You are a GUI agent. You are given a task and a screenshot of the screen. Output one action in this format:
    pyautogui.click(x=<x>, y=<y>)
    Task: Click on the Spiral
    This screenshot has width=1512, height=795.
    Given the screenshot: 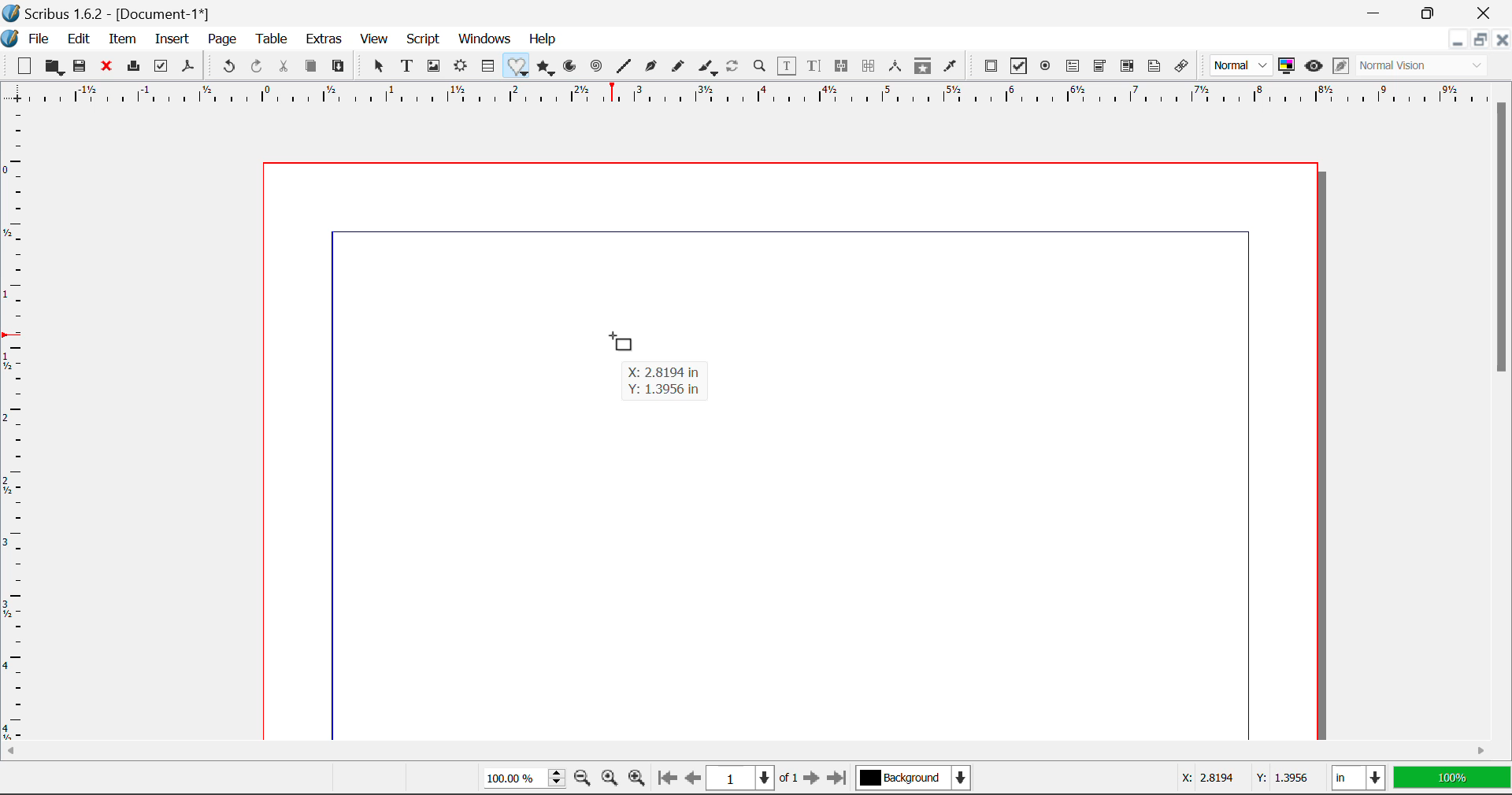 What is the action you would take?
    pyautogui.click(x=597, y=67)
    